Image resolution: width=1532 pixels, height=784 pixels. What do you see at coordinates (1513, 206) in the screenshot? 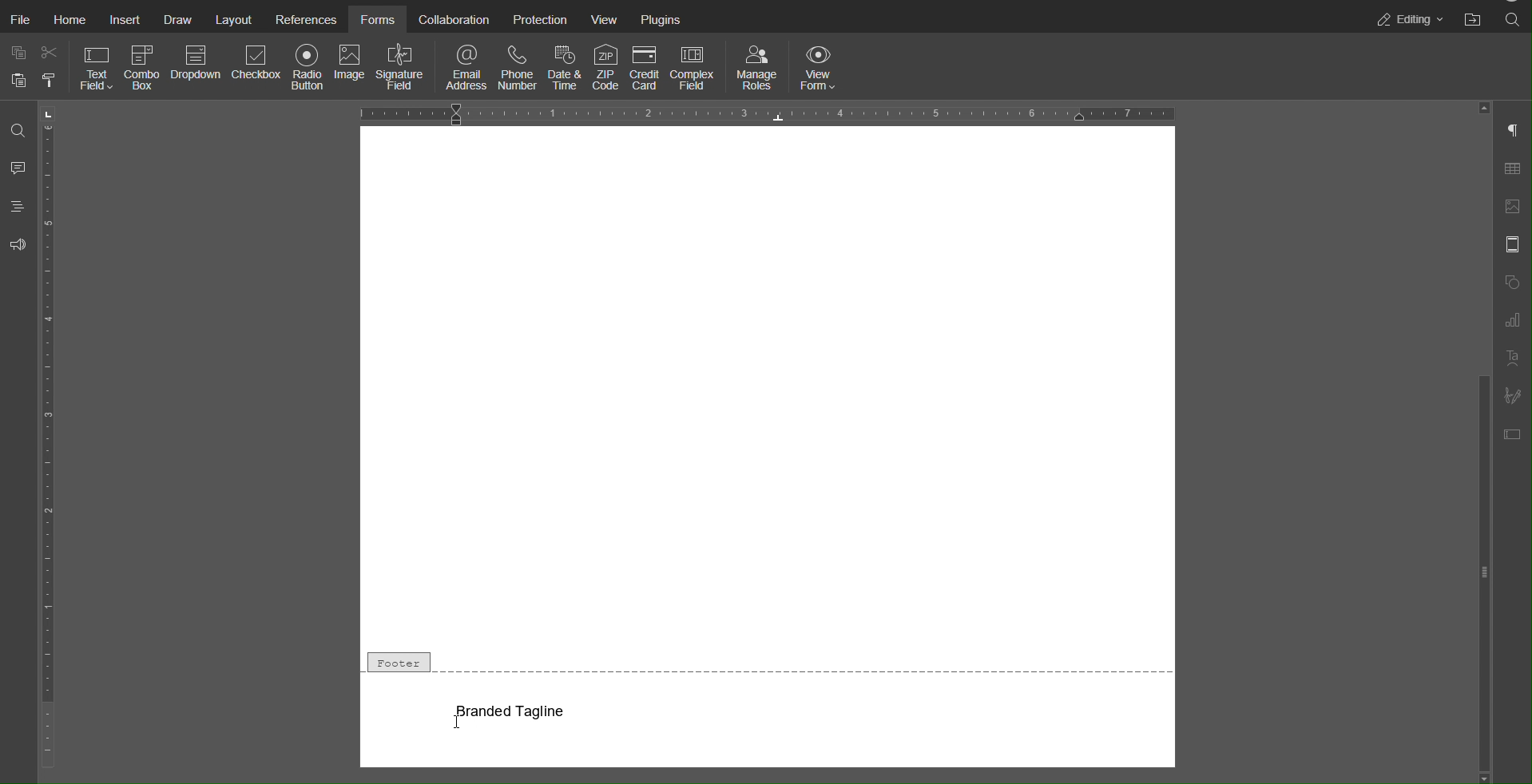
I see `Image Settings` at bounding box center [1513, 206].